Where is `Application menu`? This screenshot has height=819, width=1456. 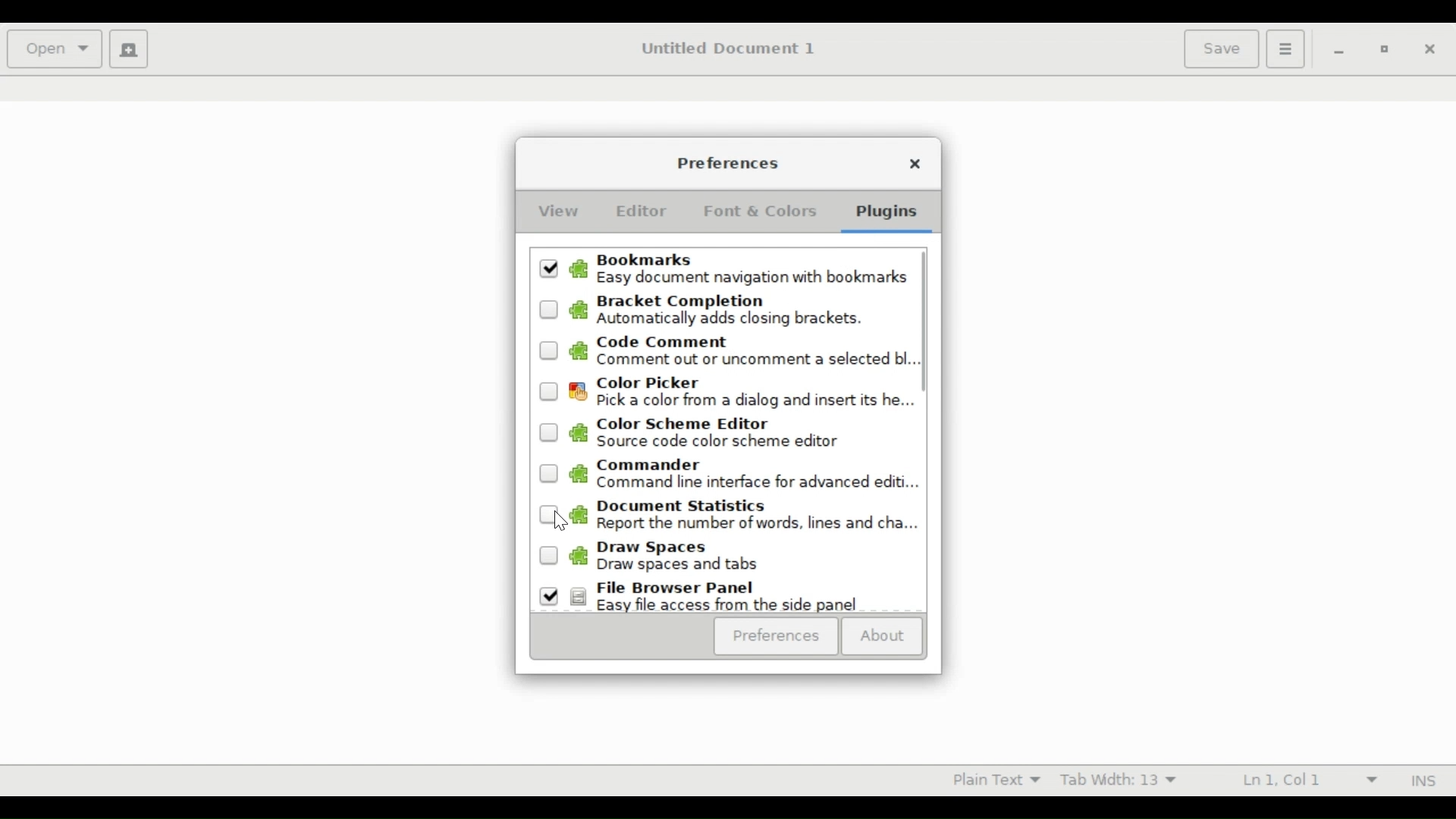
Application menu is located at coordinates (1285, 49).